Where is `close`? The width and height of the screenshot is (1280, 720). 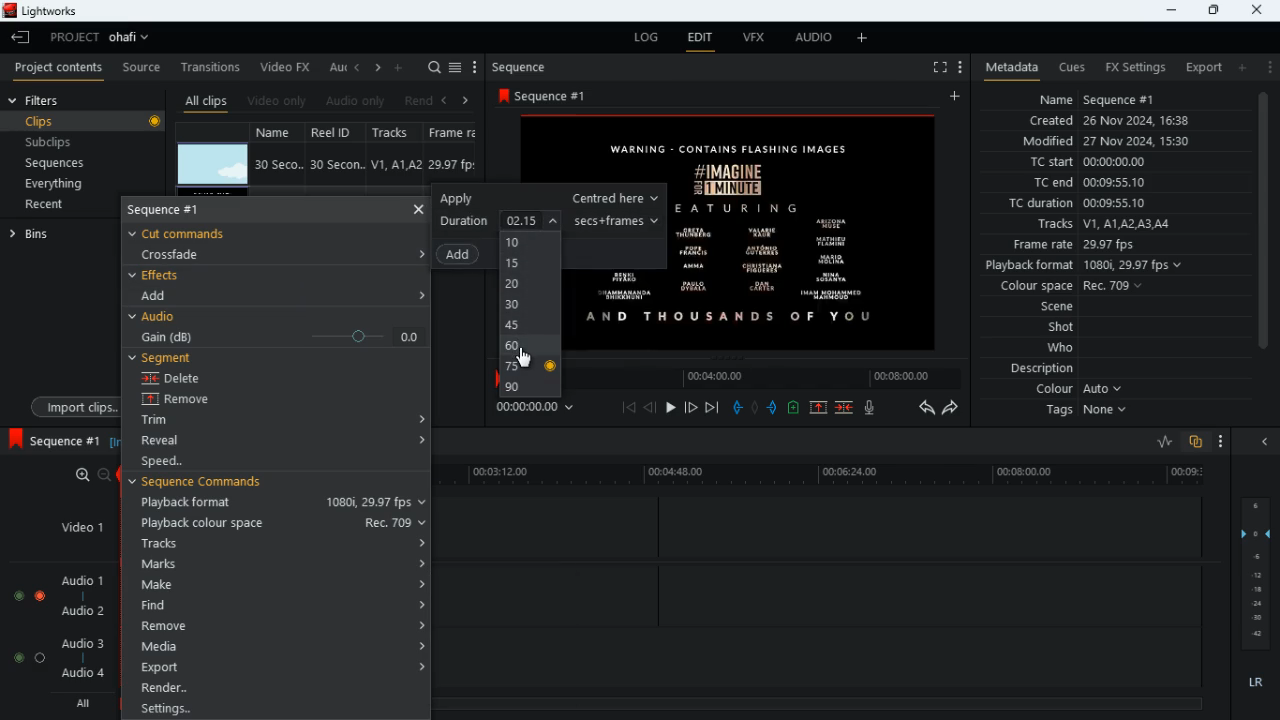 close is located at coordinates (1259, 9).